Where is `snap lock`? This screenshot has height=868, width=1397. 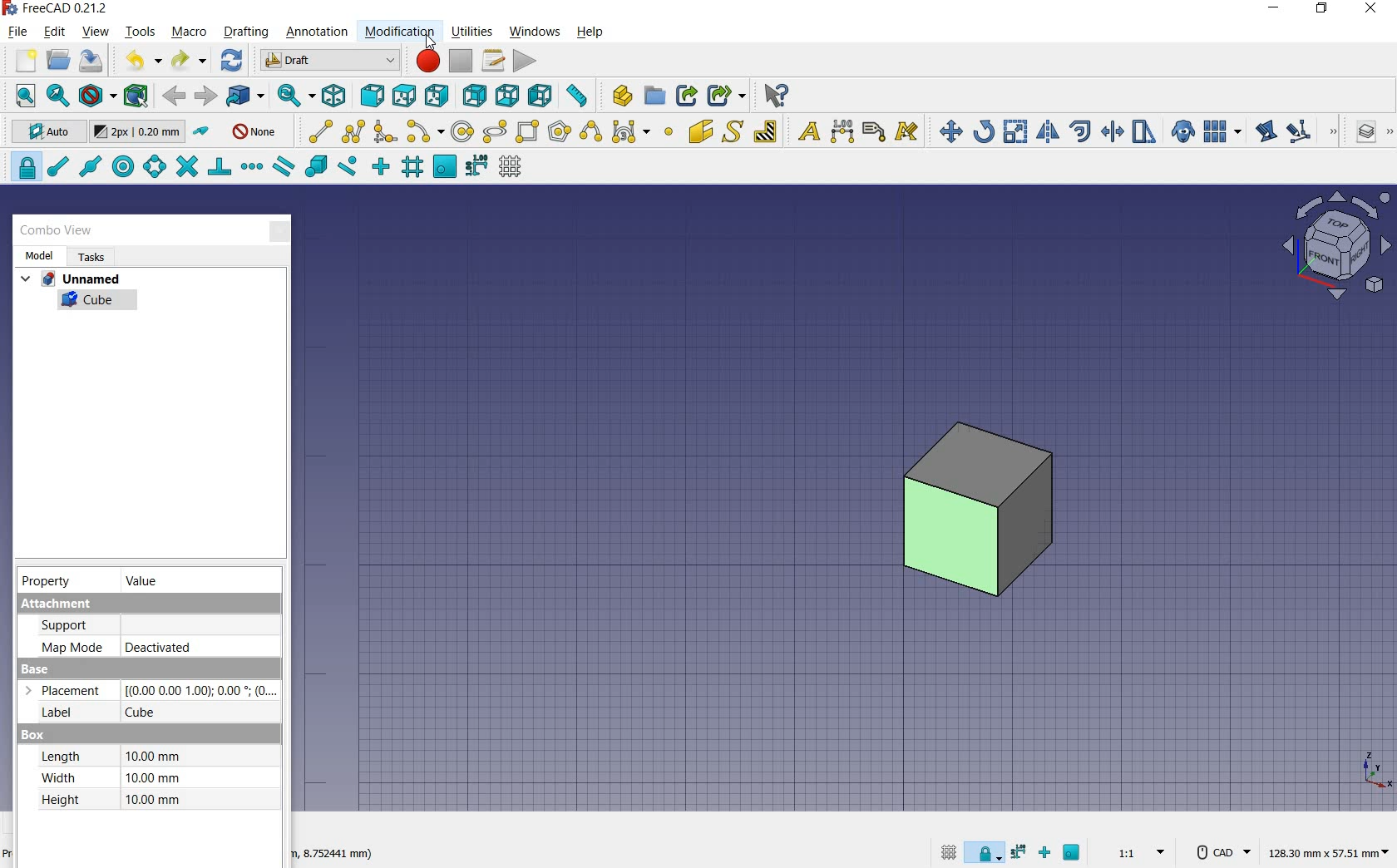
snap lock is located at coordinates (22, 167).